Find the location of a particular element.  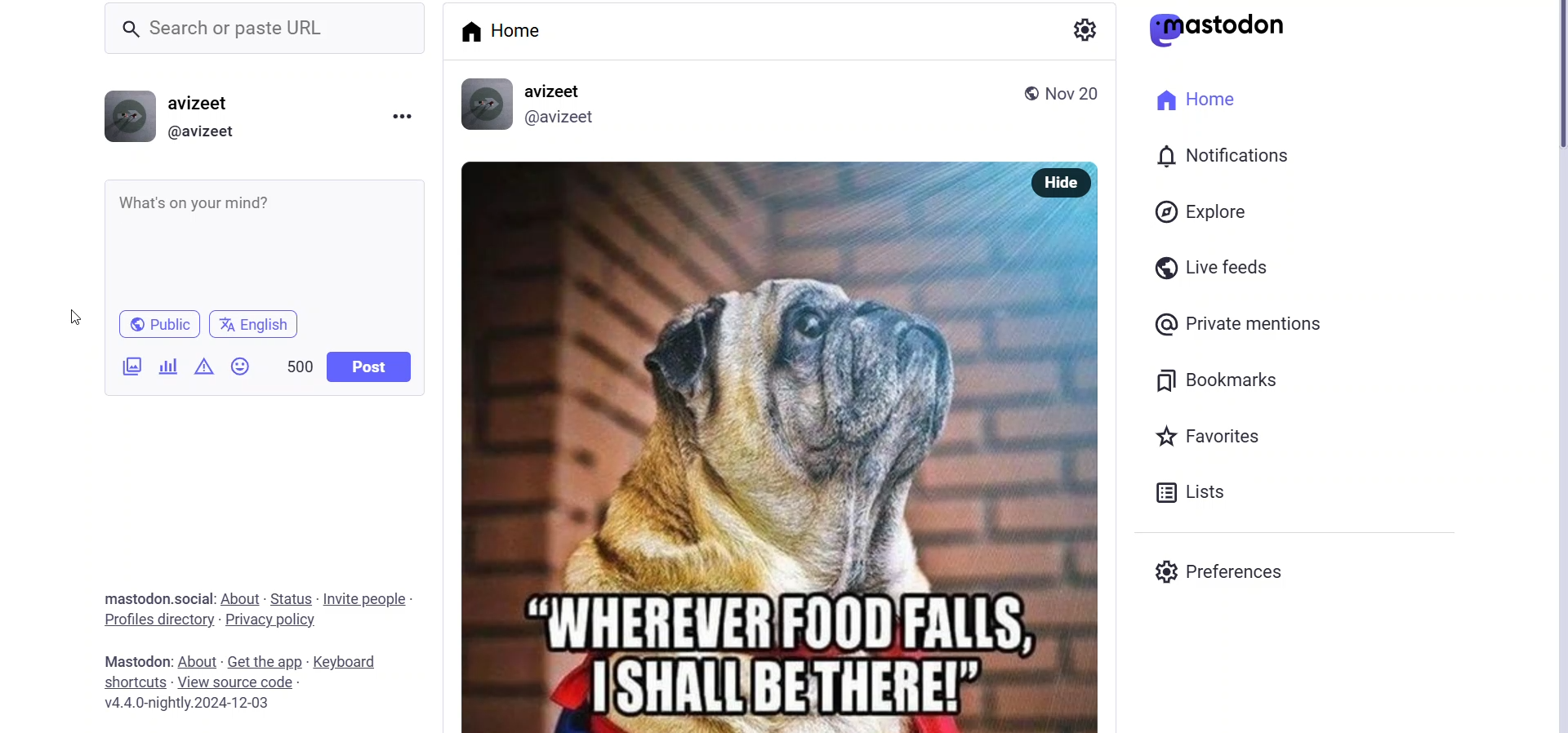

profile picture is located at coordinates (130, 113).